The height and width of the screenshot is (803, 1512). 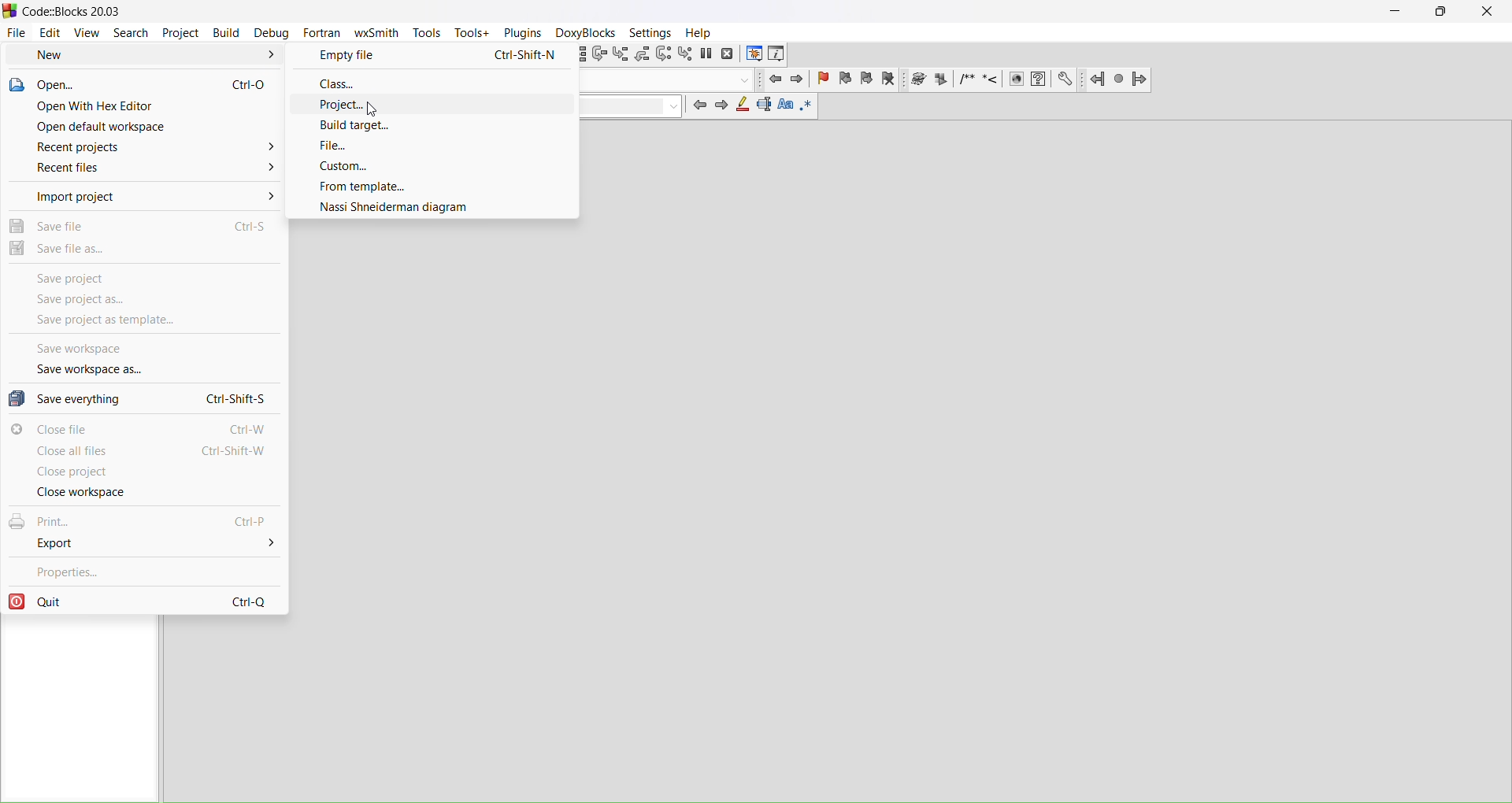 What do you see at coordinates (765, 108) in the screenshot?
I see `selected text` at bounding box center [765, 108].